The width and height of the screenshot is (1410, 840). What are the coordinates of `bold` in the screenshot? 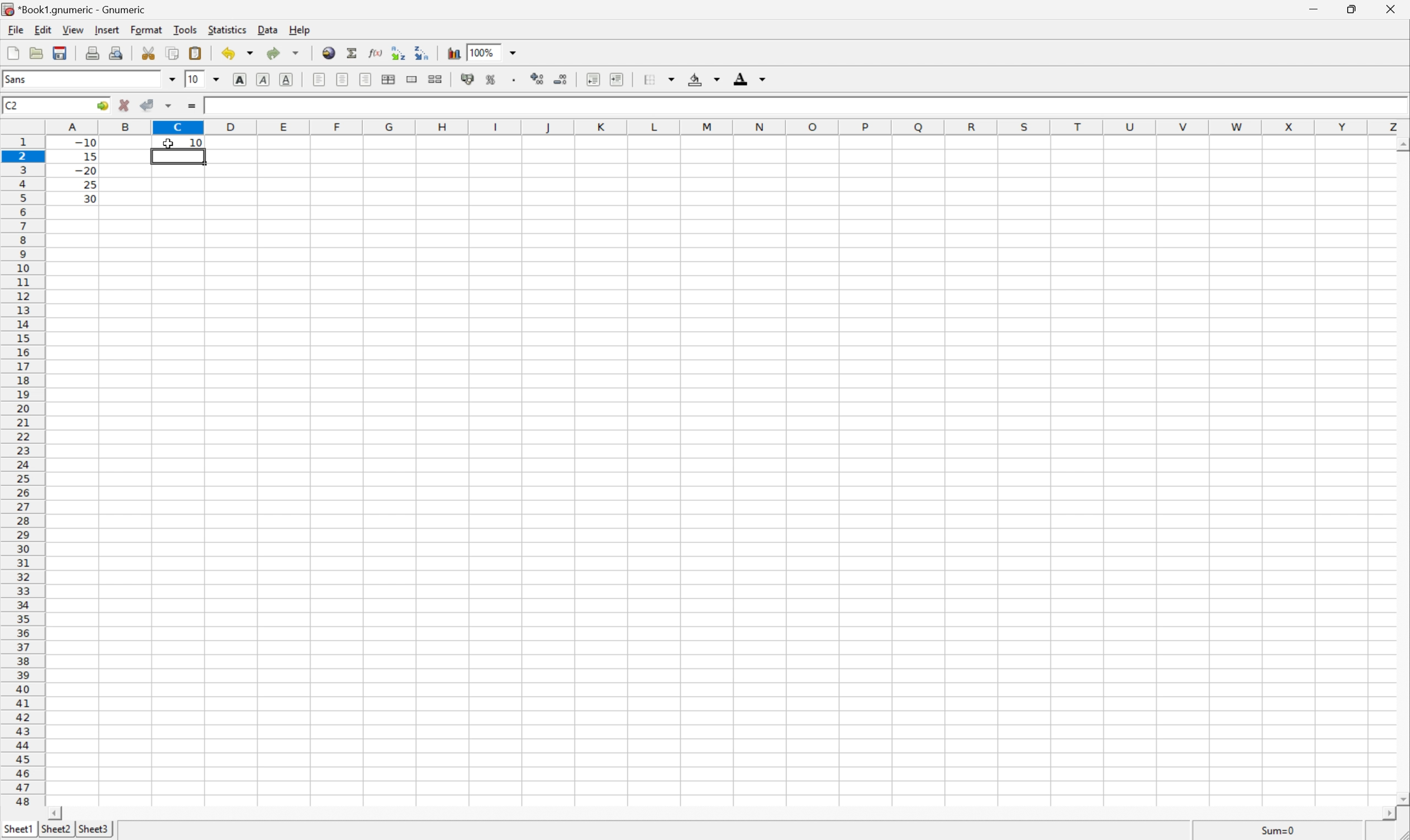 It's located at (237, 78).